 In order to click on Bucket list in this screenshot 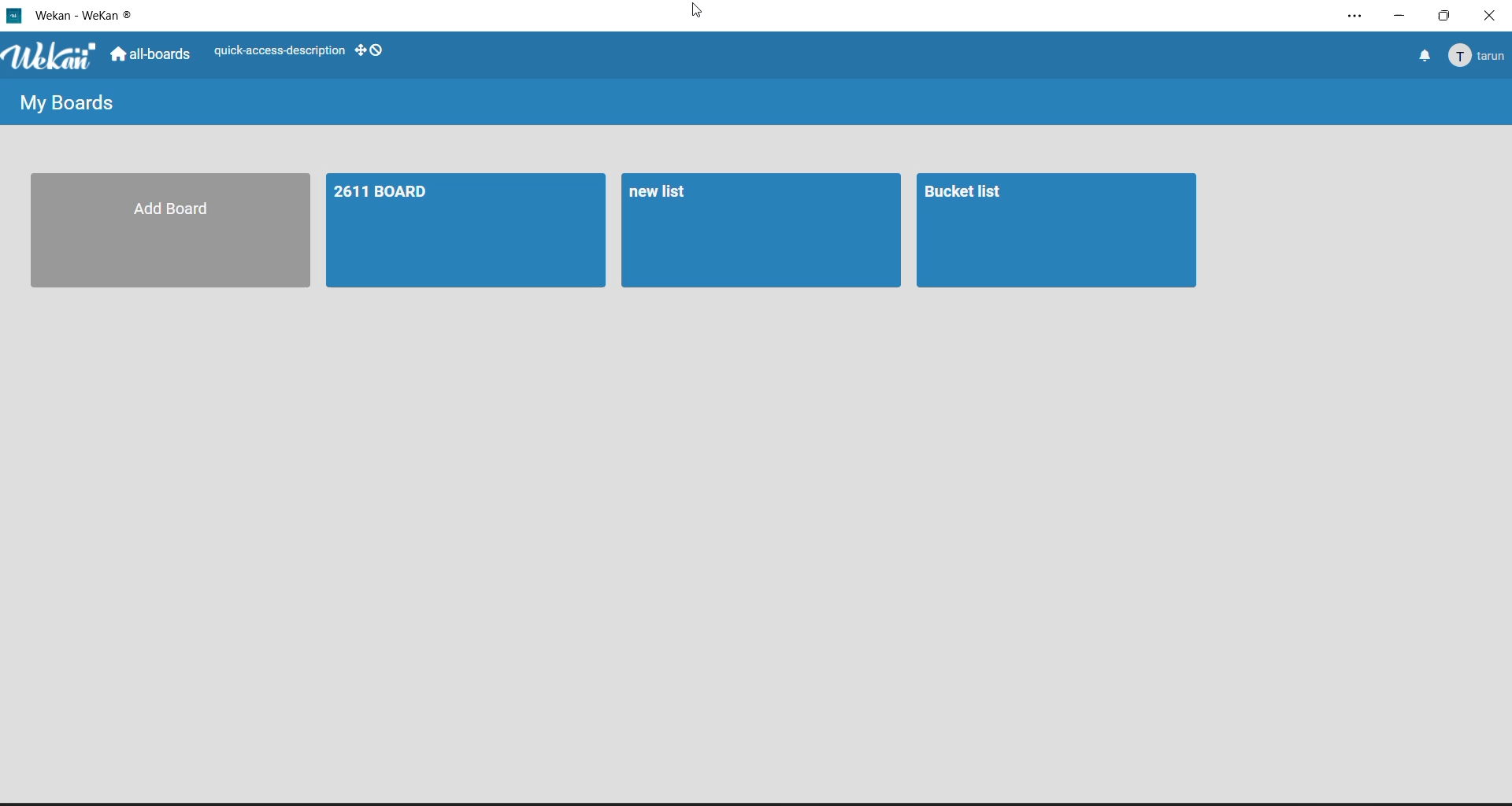, I will do `click(1054, 231)`.